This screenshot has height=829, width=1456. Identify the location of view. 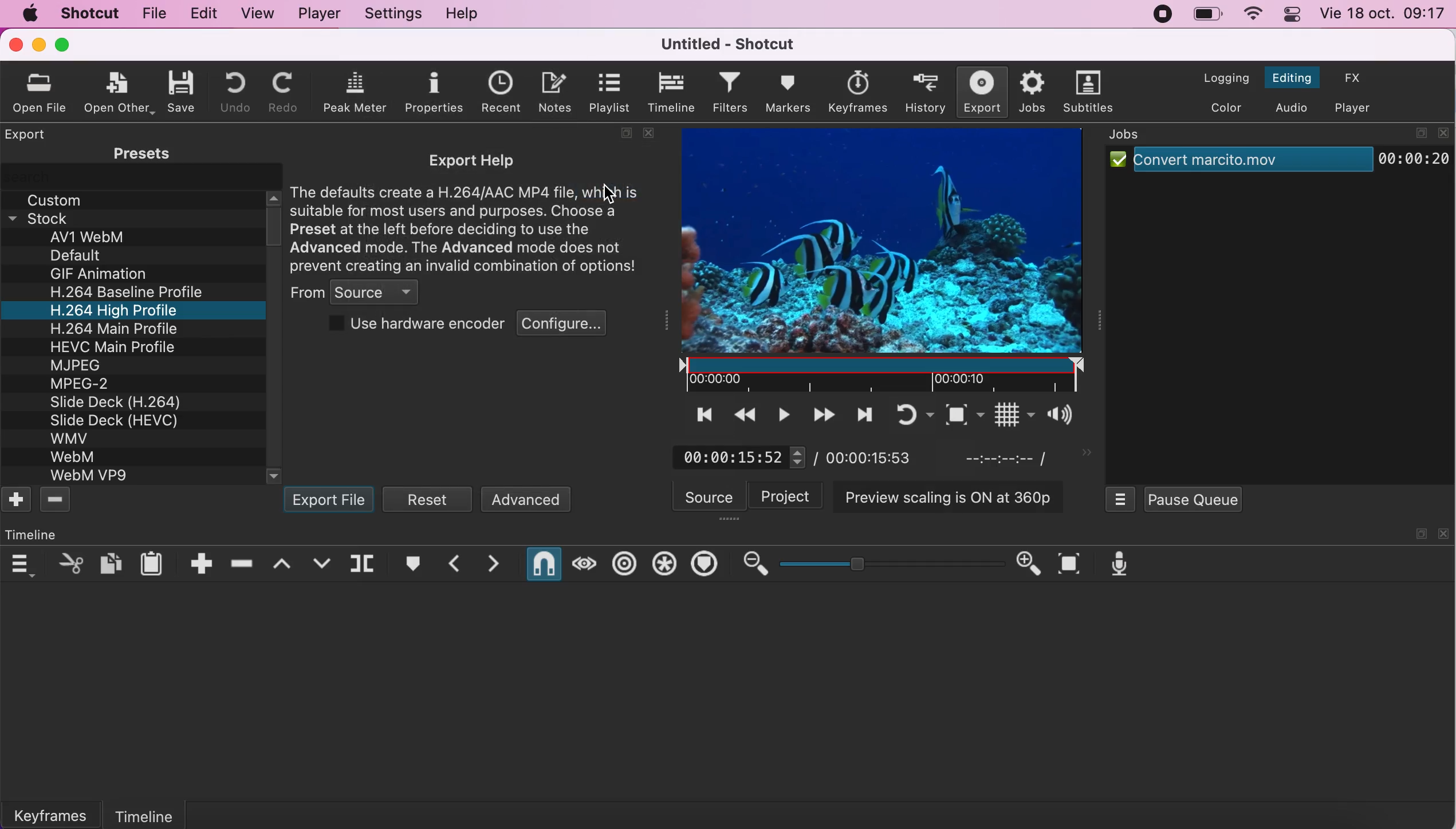
(255, 13).